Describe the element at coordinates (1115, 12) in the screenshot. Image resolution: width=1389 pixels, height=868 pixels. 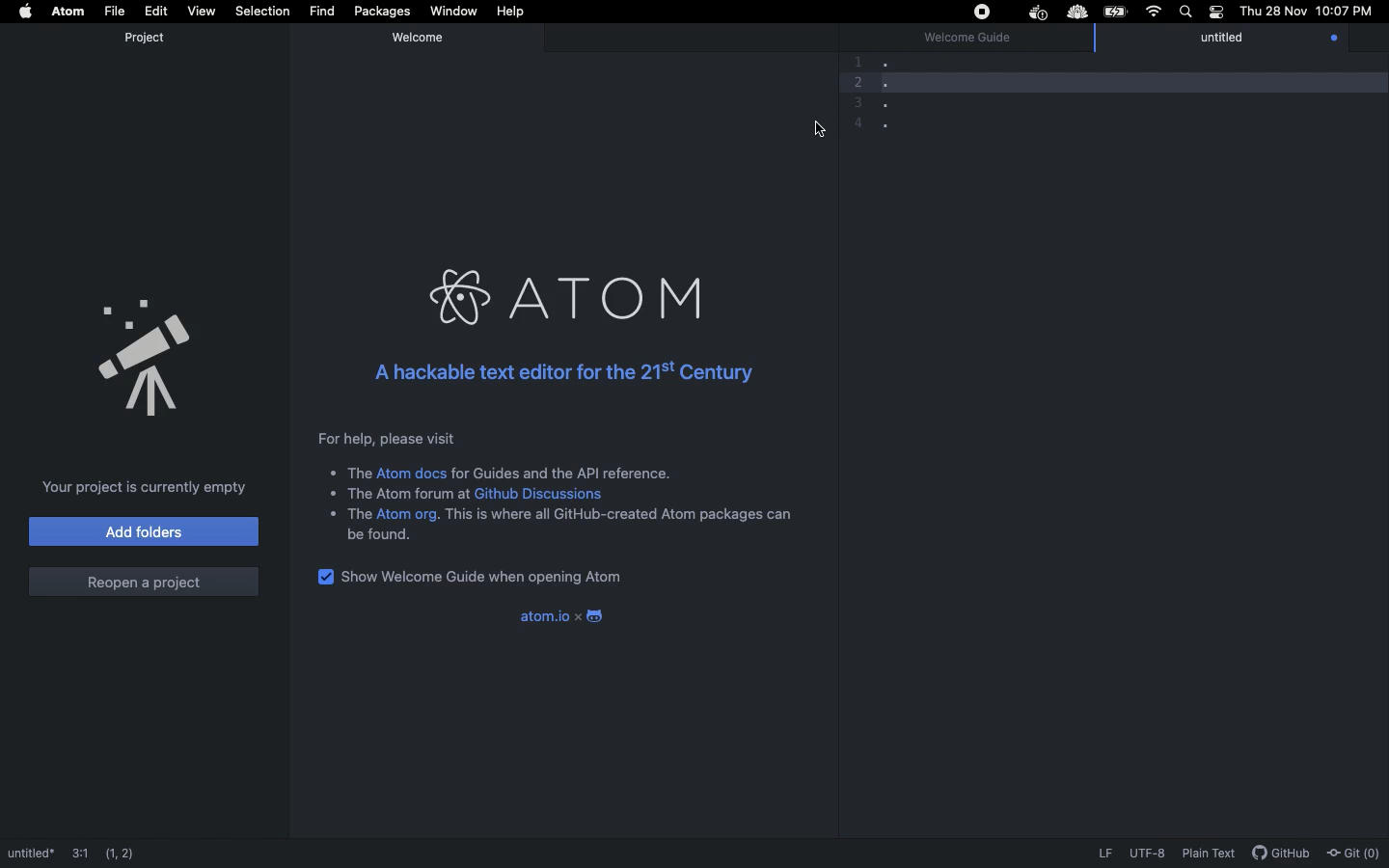
I see `Charge` at that location.